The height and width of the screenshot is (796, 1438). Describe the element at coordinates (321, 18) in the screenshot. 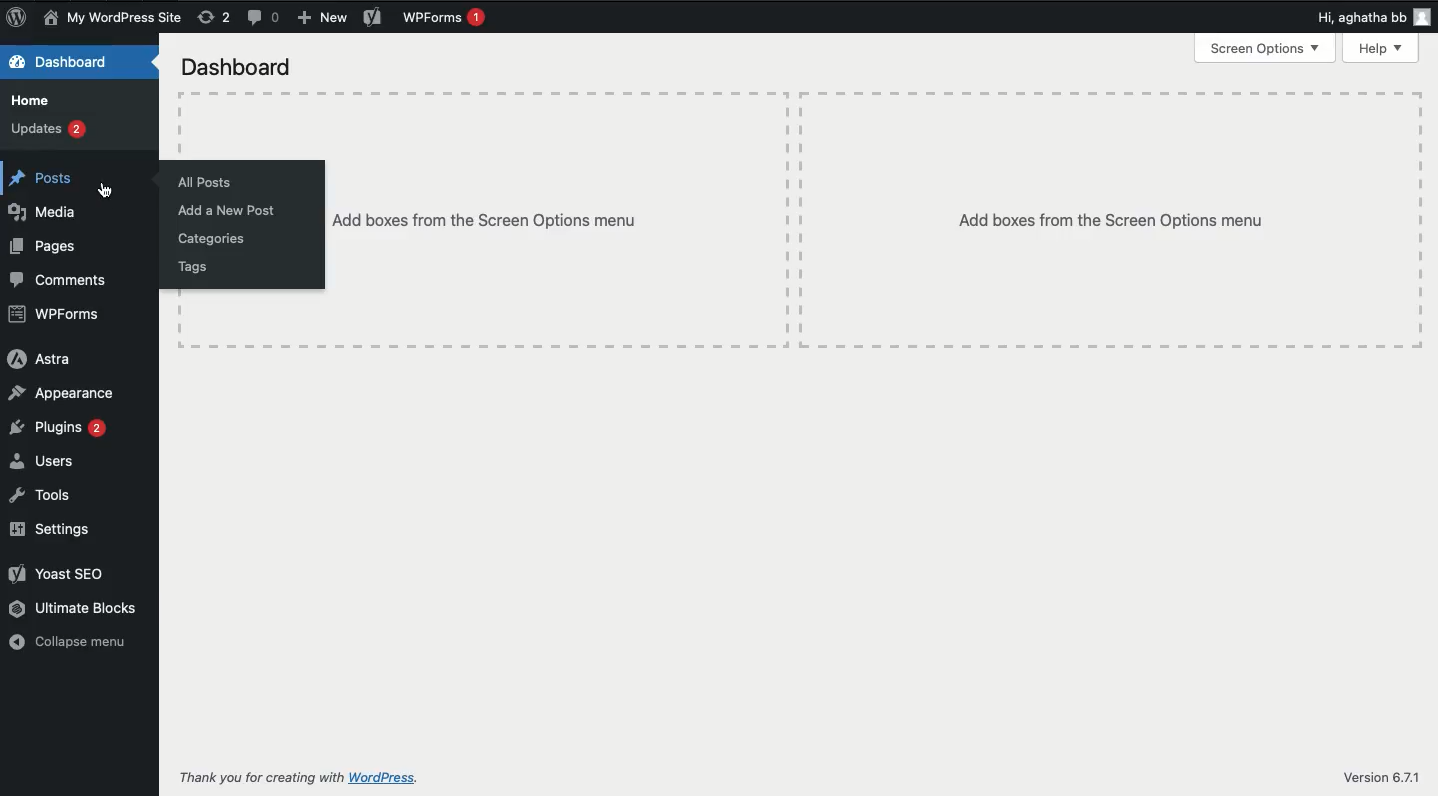

I see `Add new` at that location.